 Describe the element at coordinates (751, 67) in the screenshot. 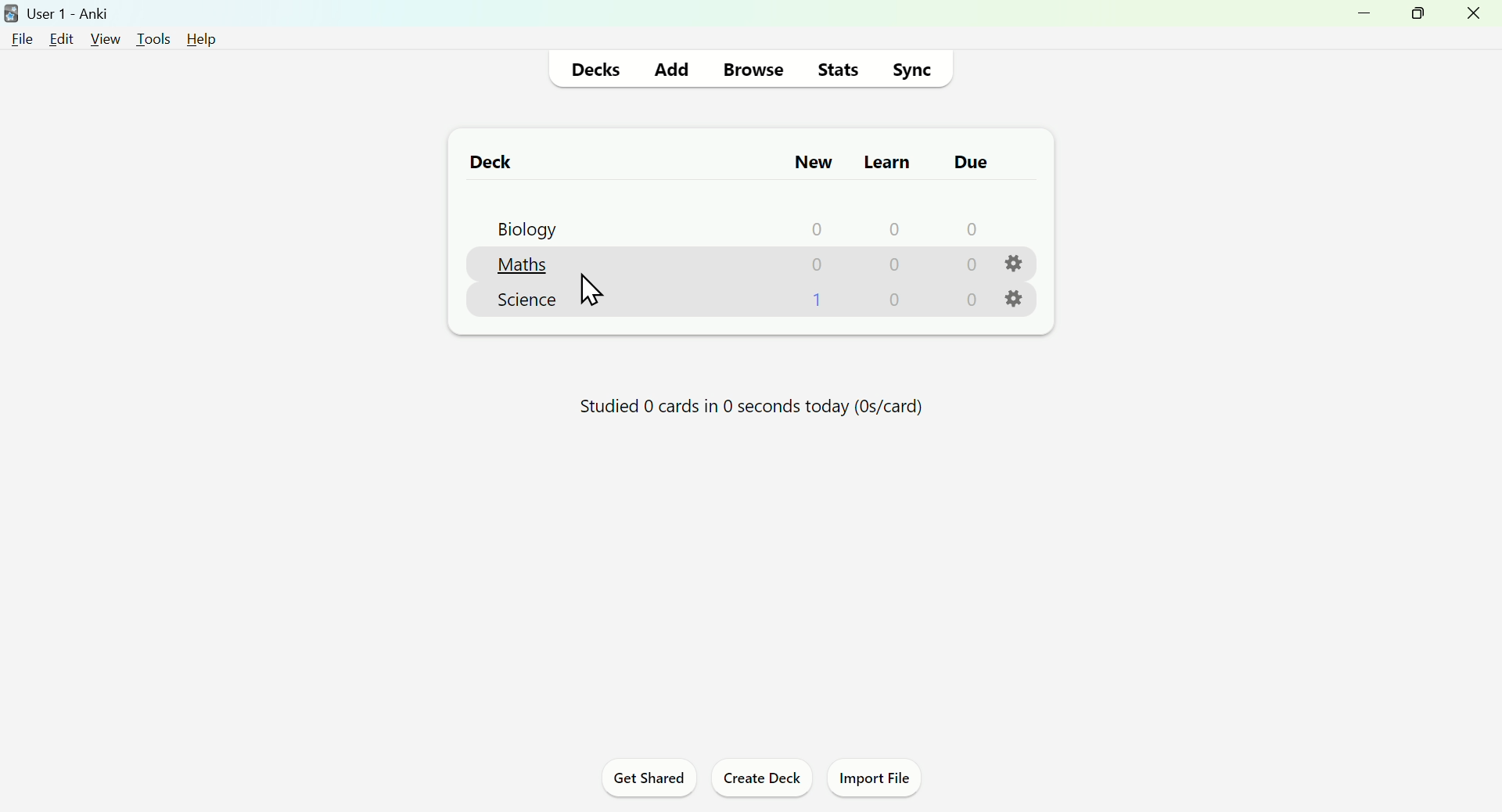

I see `Browse` at that location.